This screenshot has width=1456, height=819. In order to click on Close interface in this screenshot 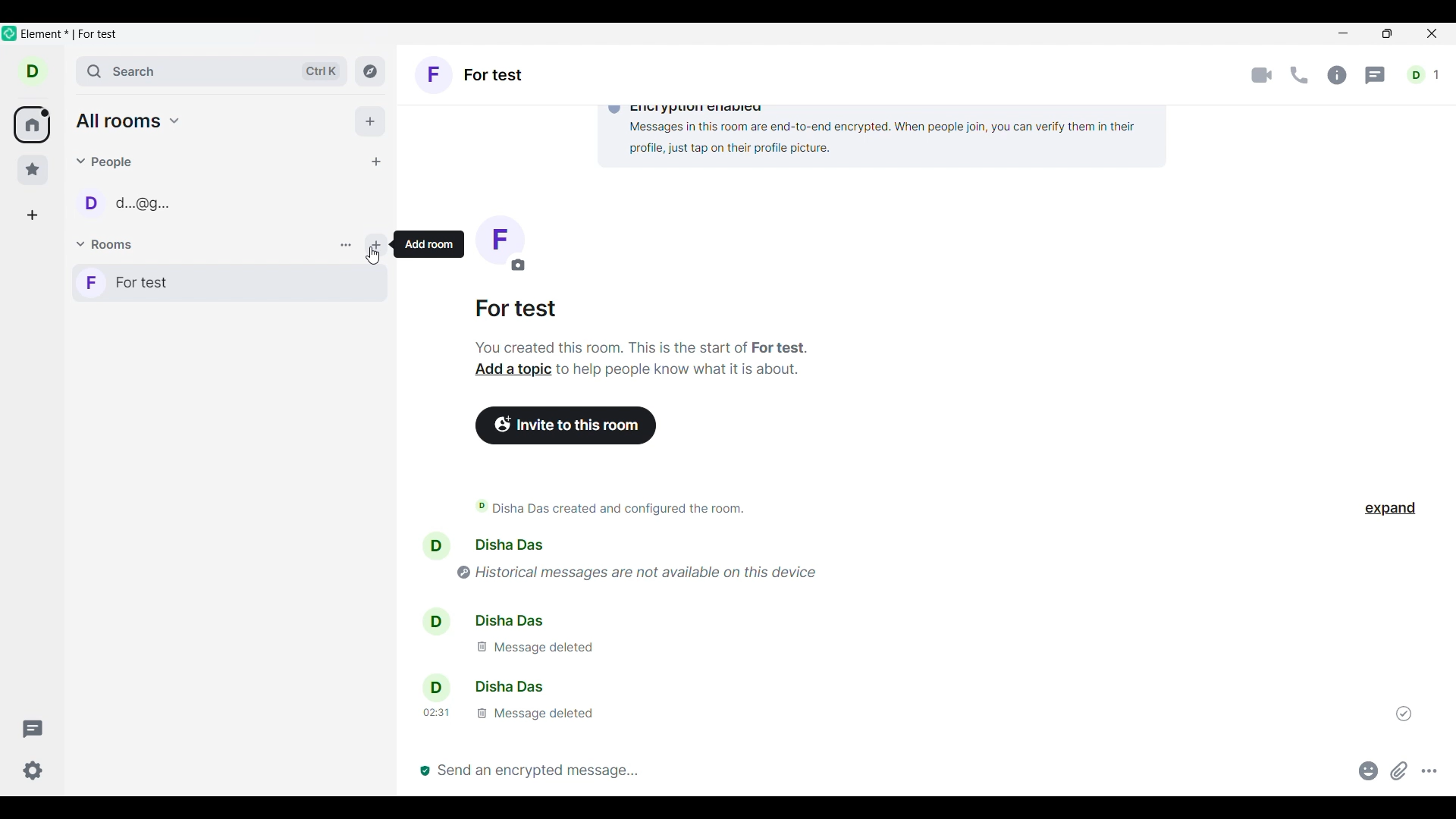, I will do `click(1432, 33)`.